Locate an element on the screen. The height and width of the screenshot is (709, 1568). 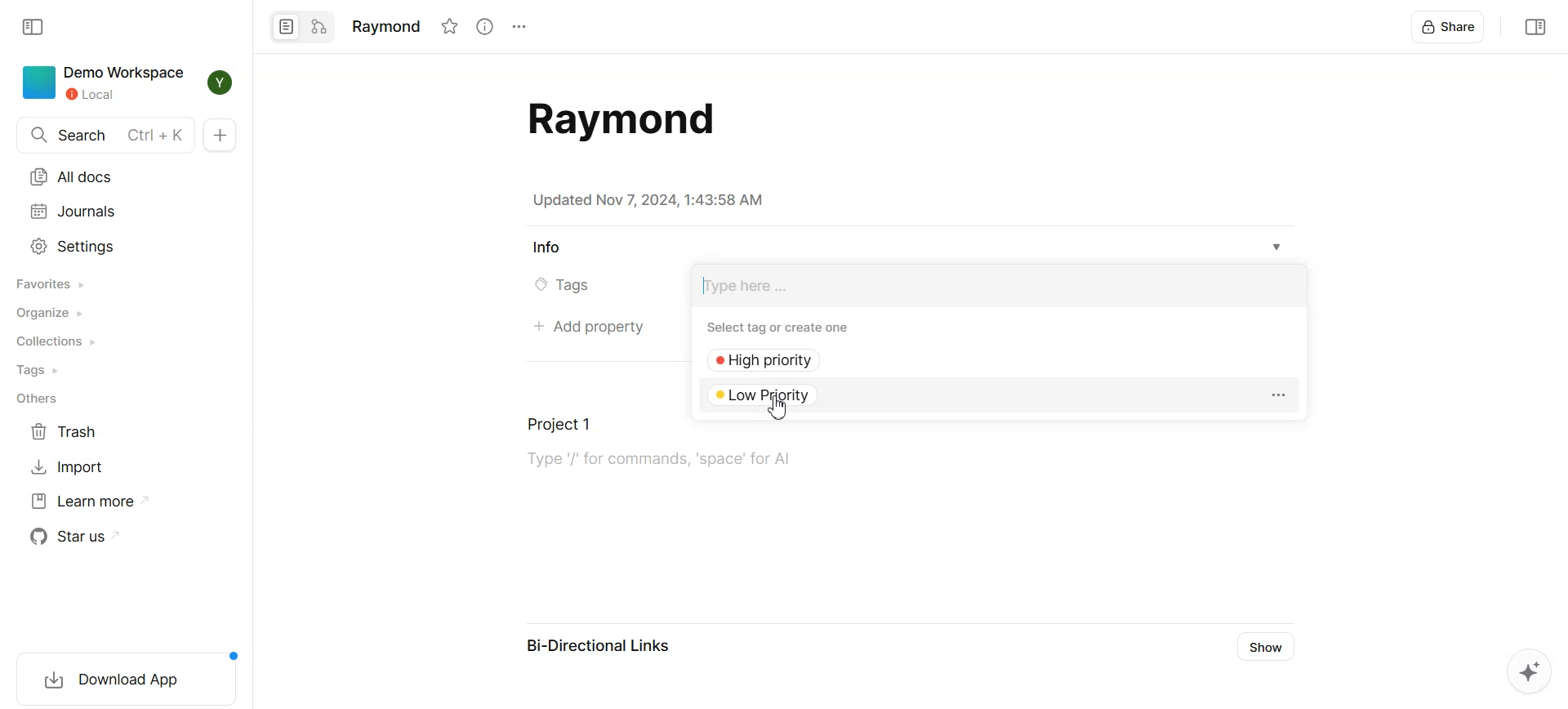
Show is located at coordinates (1269, 647).